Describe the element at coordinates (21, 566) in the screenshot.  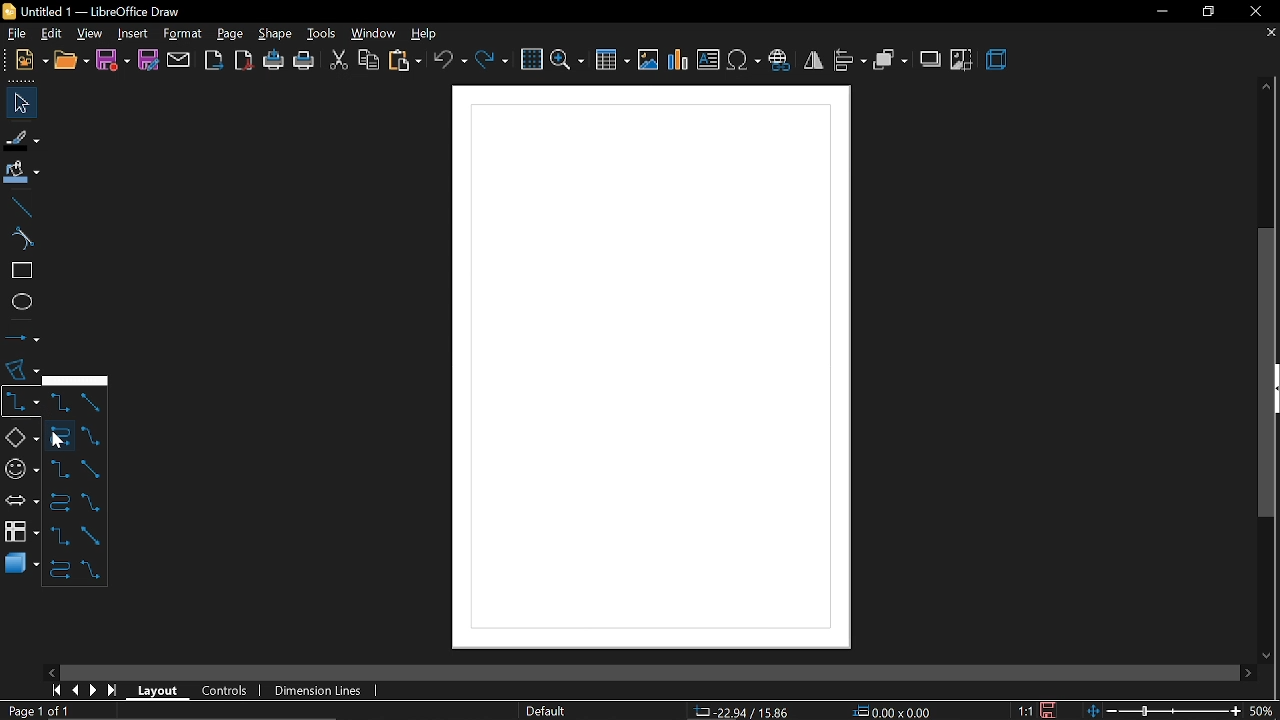
I see `3d shapes` at that location.